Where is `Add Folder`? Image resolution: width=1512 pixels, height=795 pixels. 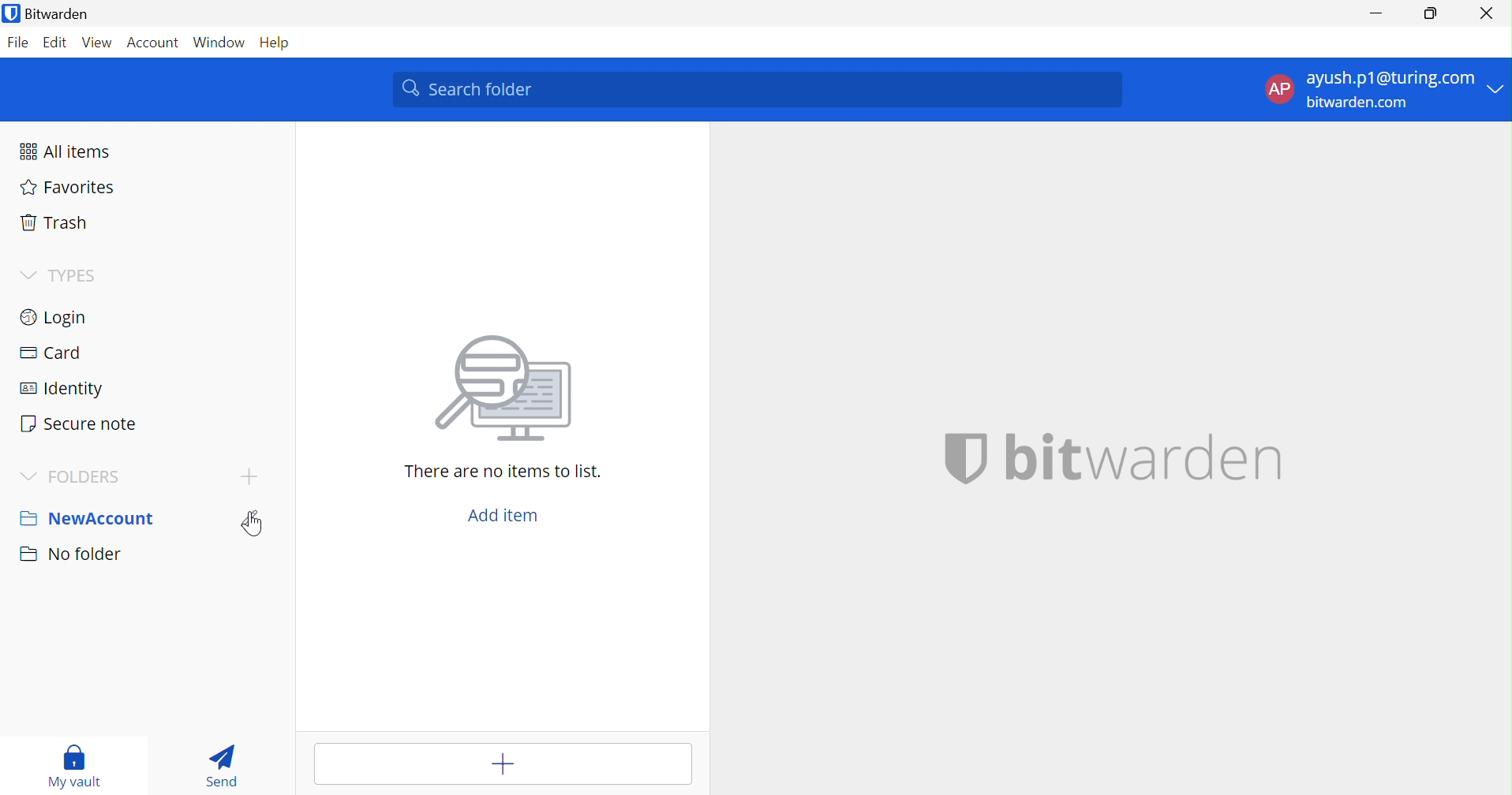 Add Folder is located at coordinates (249, 478).